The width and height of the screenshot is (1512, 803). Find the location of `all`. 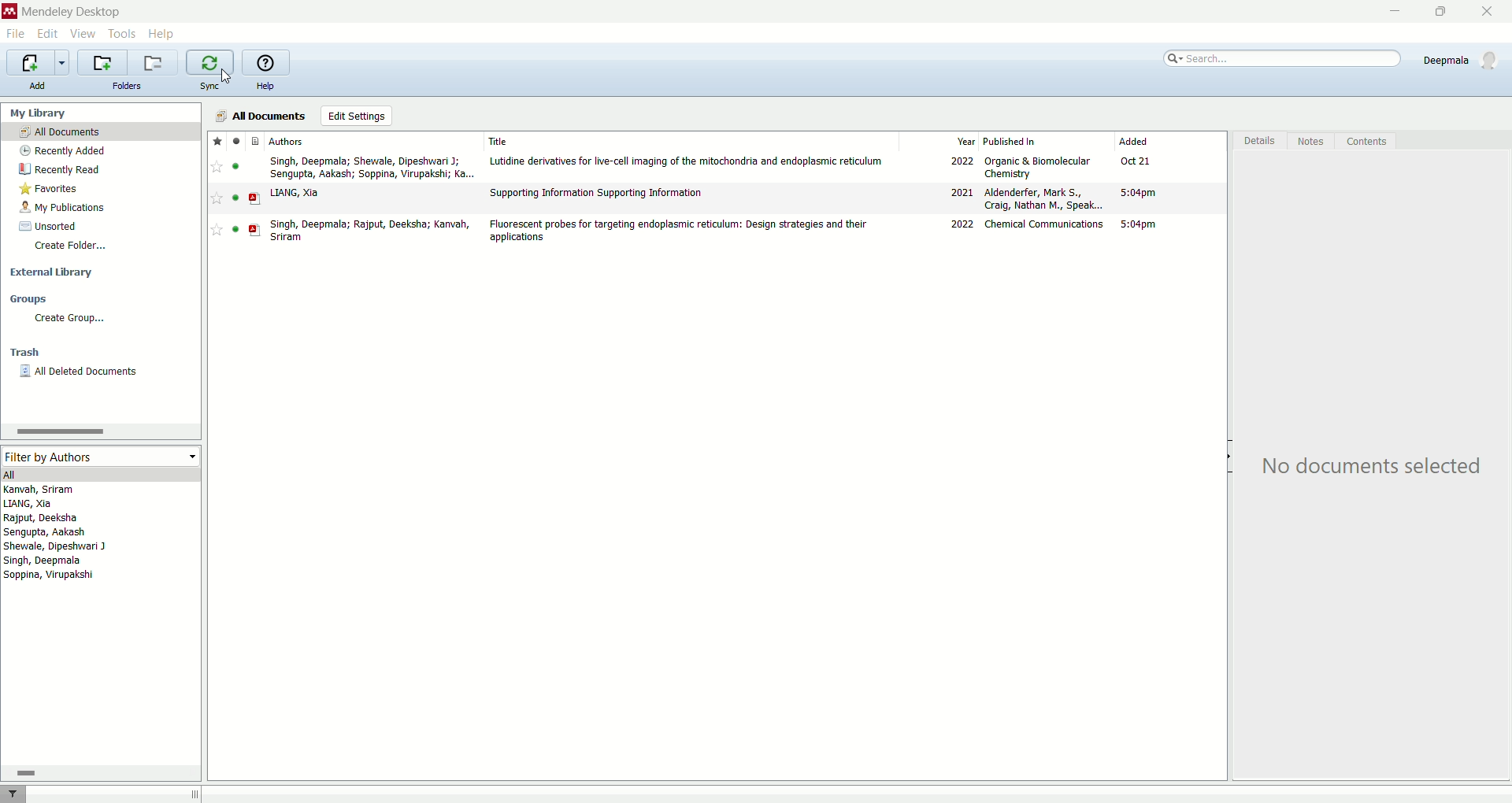

all is located at coordinates (101, 474).